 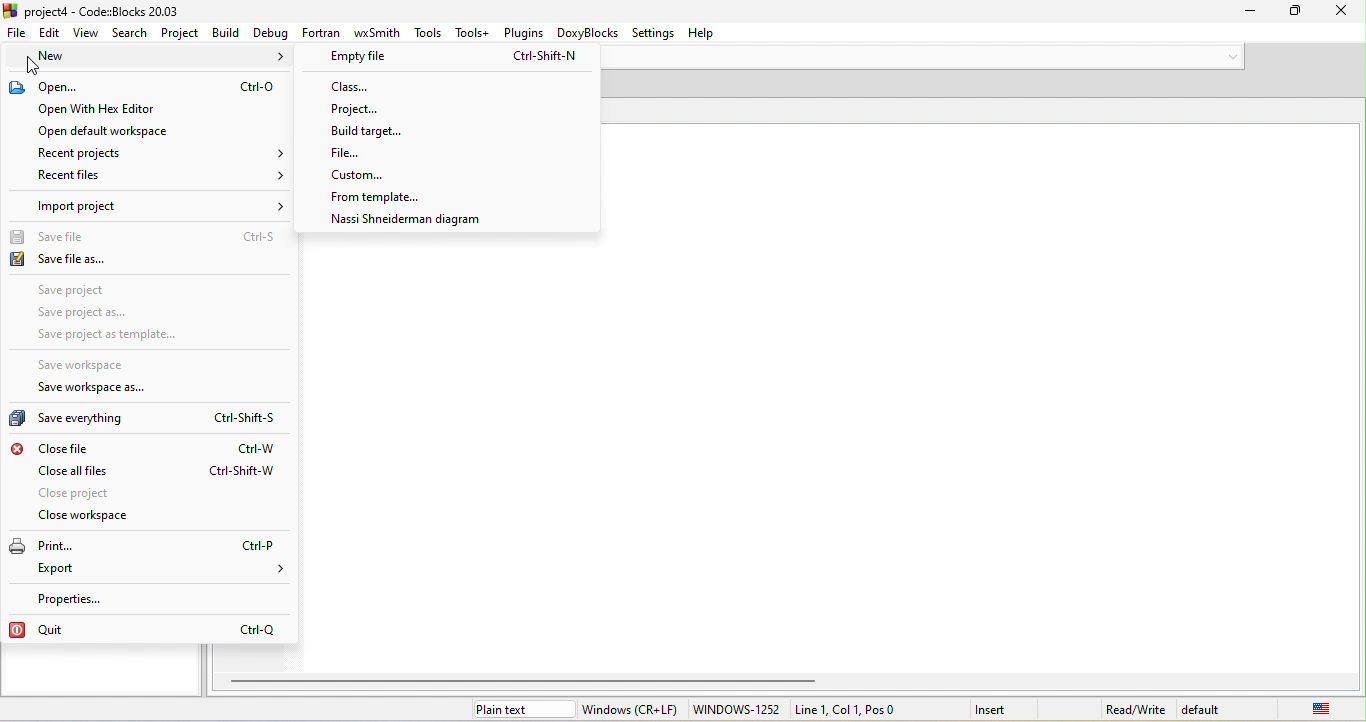 I want to click on plugins, so click(x=522, y=31).